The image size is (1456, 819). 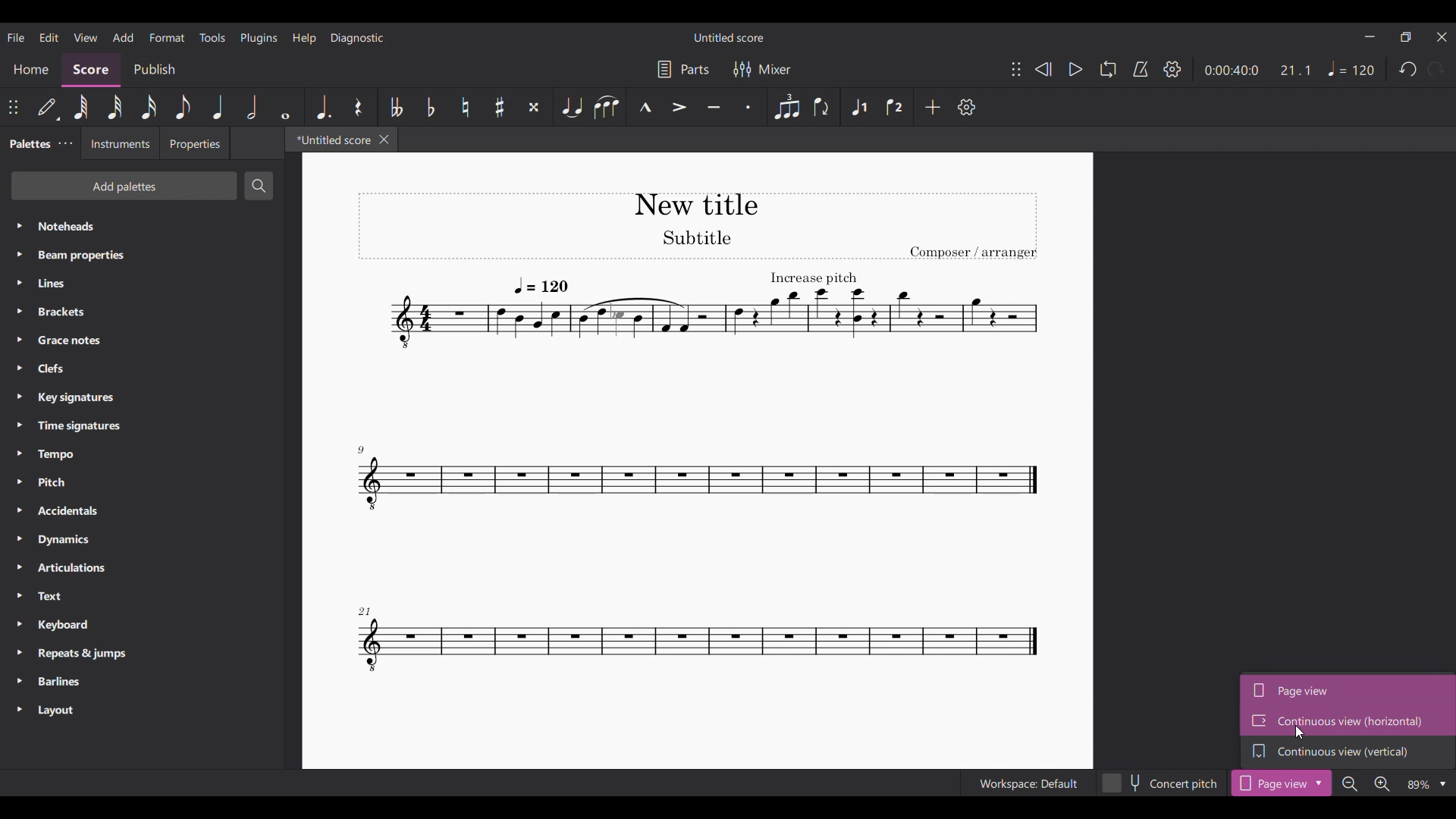 I want to click on Diagnostic menu, so click(x=356, y=39).